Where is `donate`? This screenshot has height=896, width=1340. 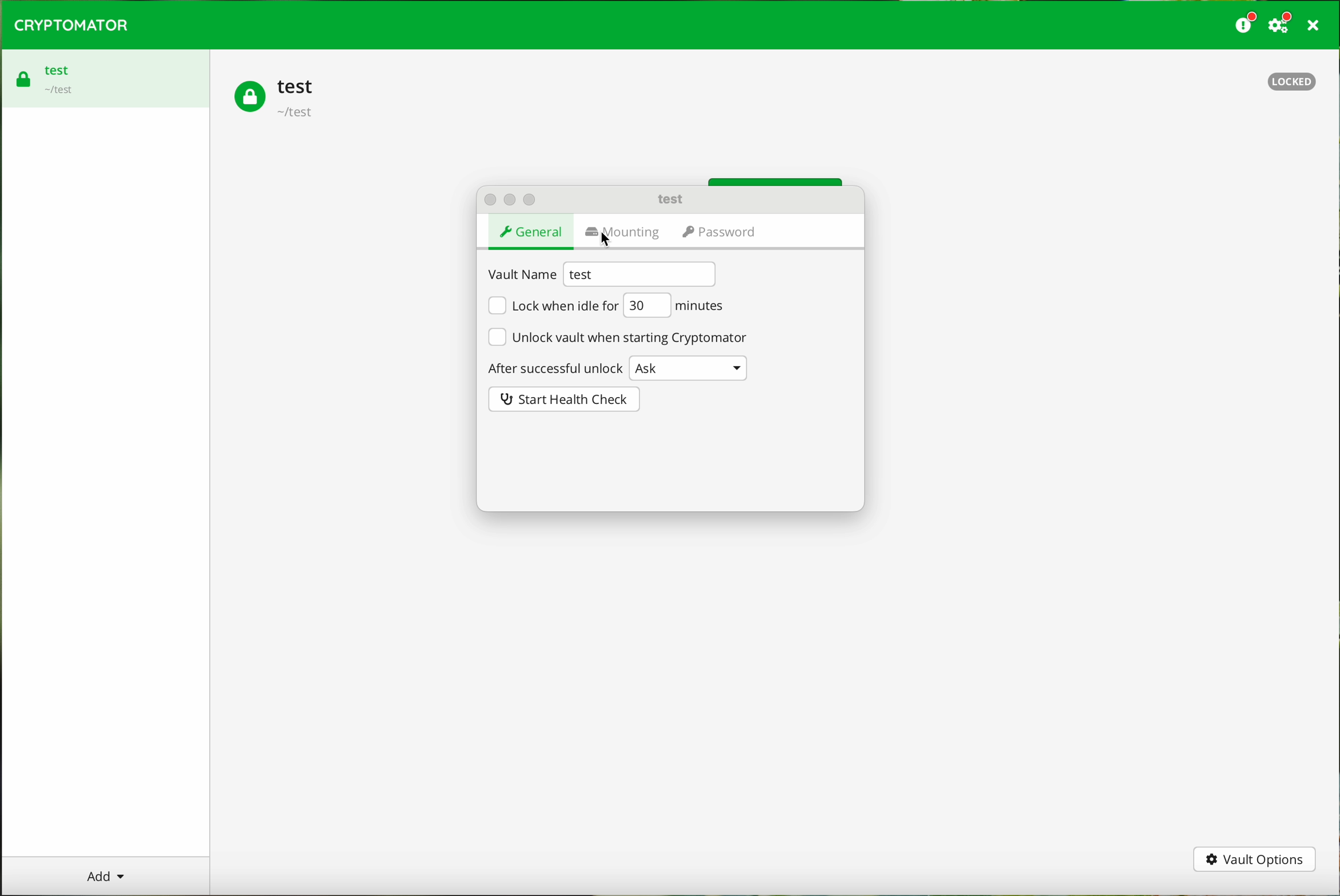 donate is located at coordinates (1243, 25).